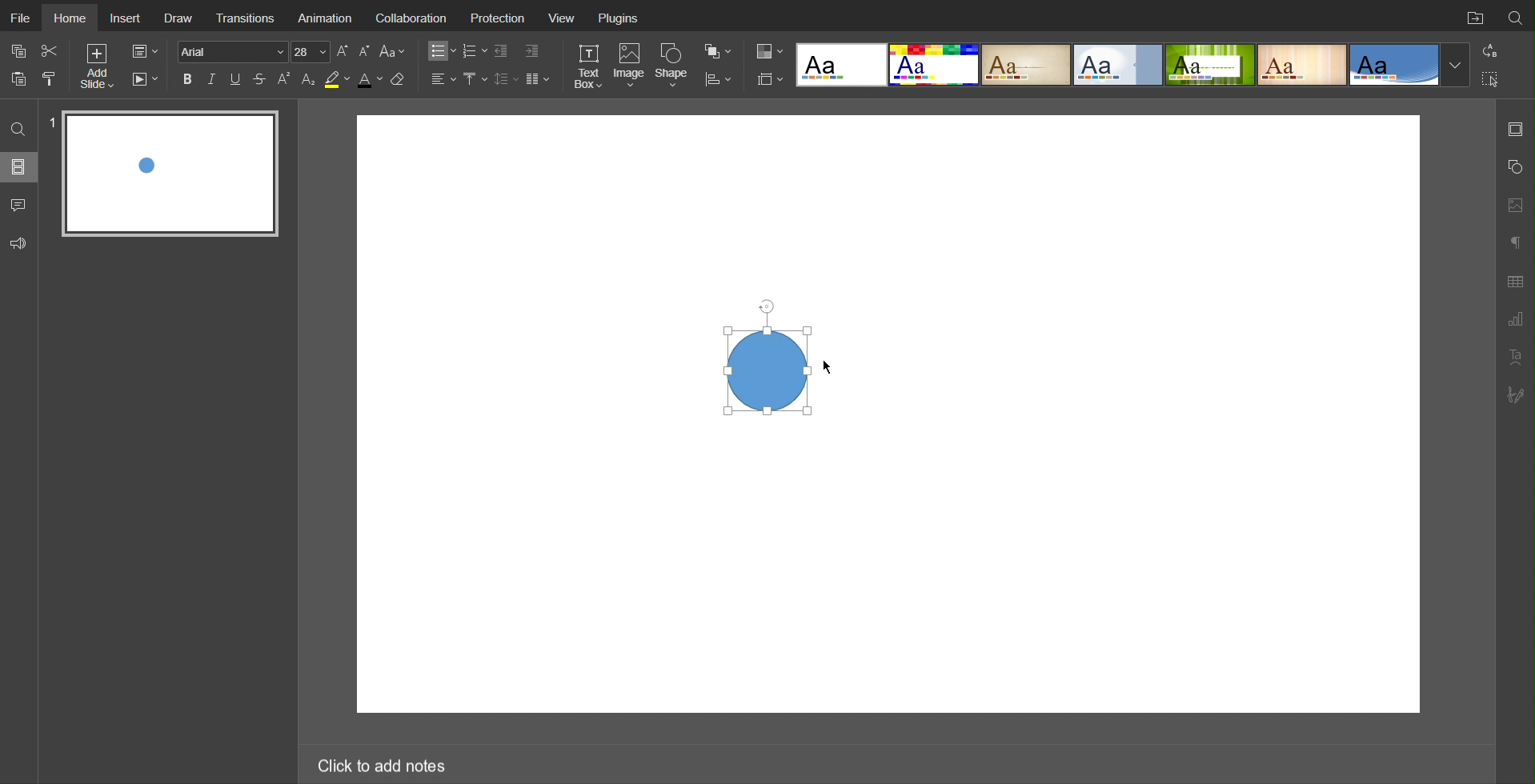 This screenshot has width=1535, height=784. I want to click on Slide Settings, so click(1515, 129).